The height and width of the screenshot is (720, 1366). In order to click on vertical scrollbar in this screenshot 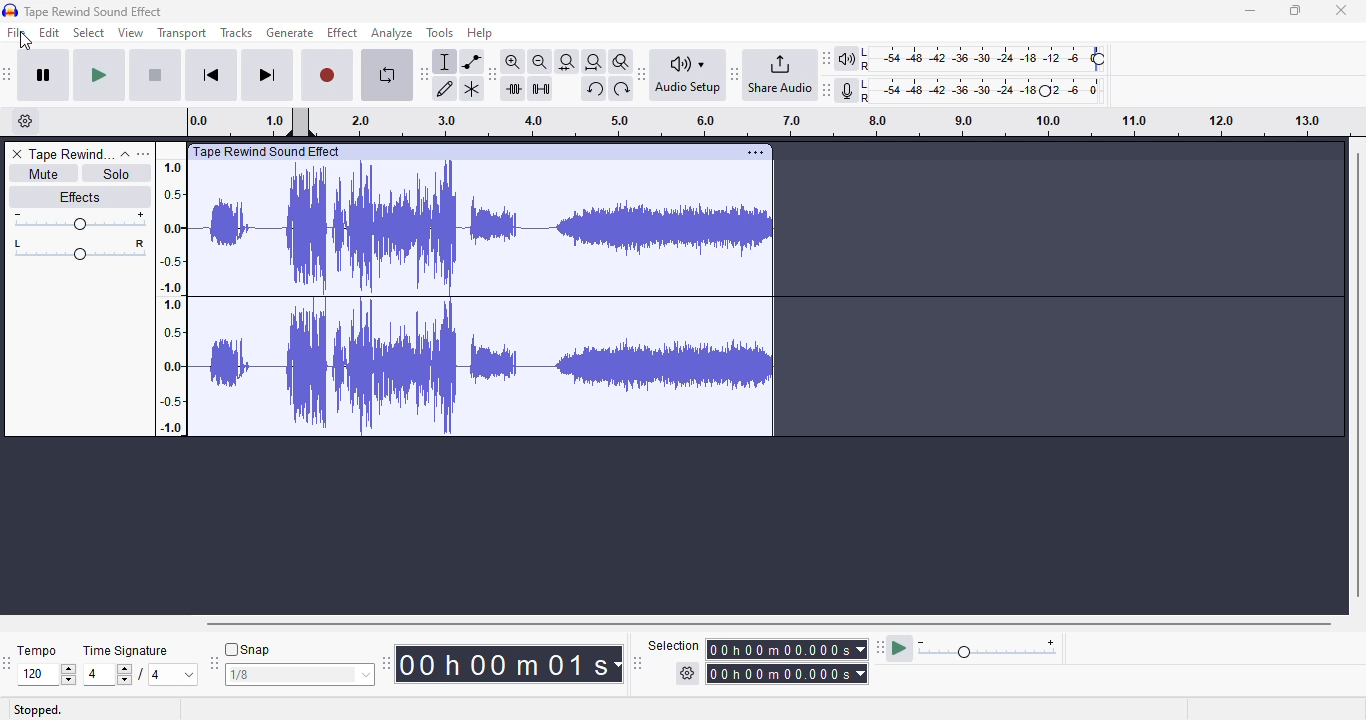, I will do `click(1357, 374)`.